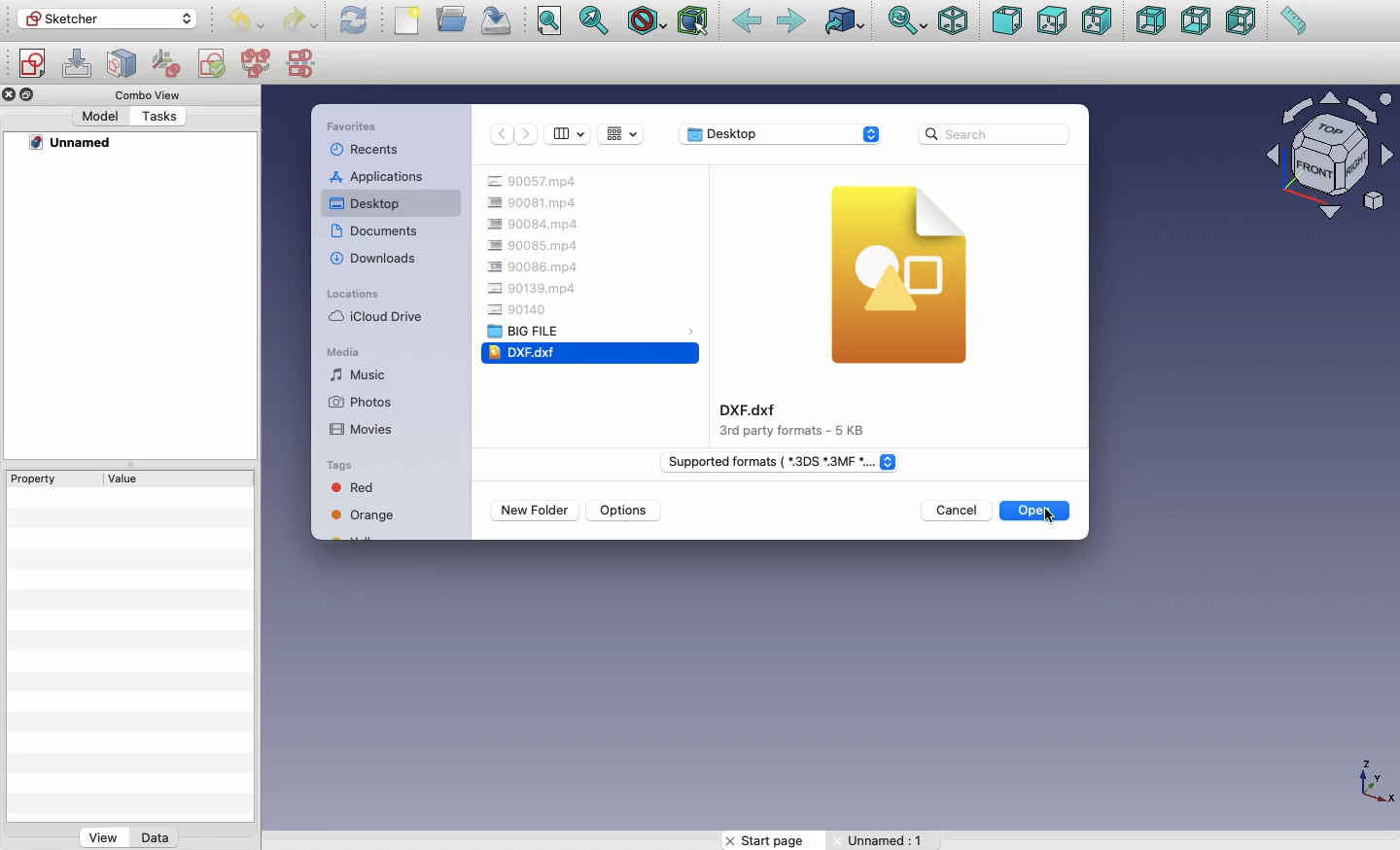  I want to click on Duplicate, so click(29, 93).